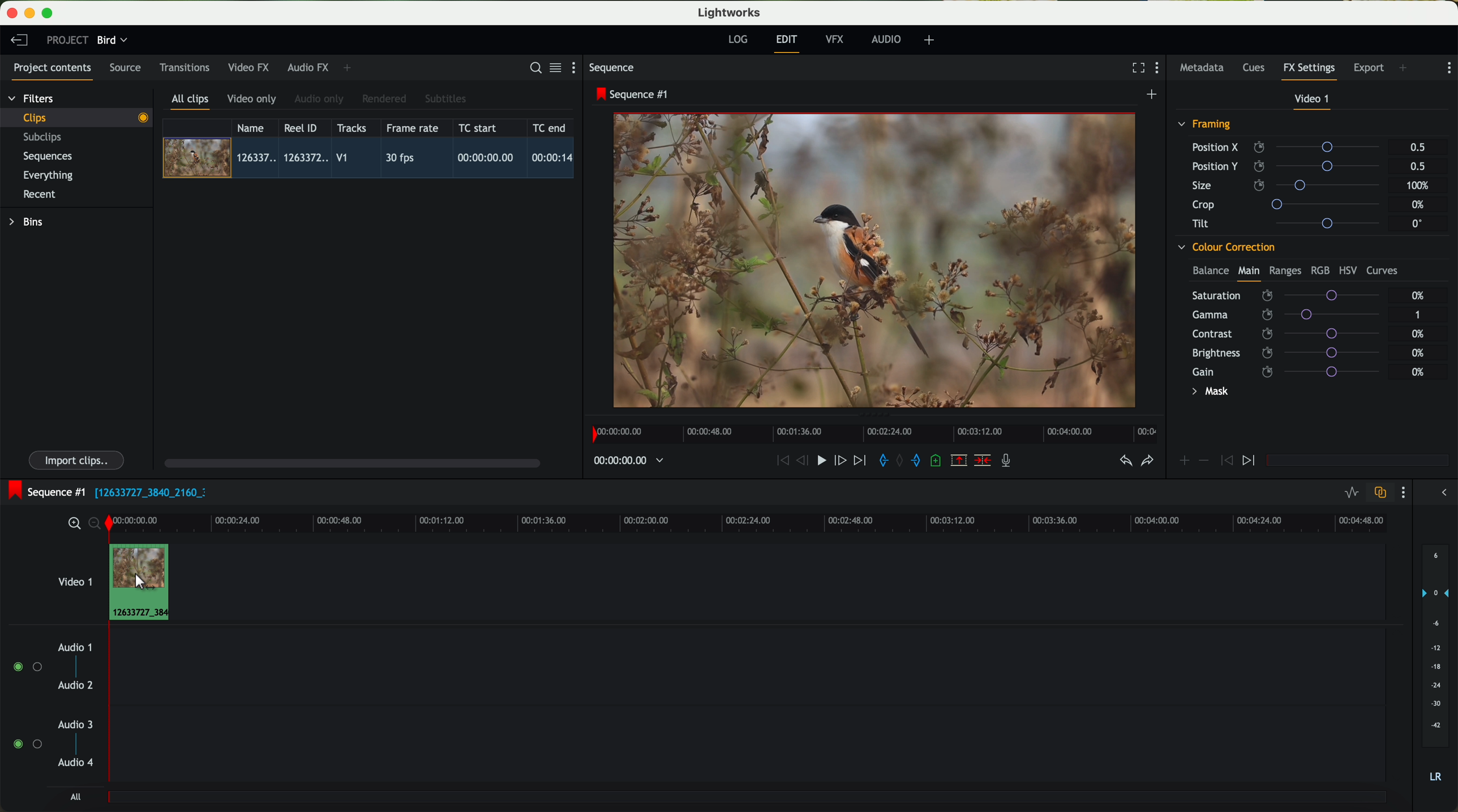 The width and height of the screenshot is (1458, 812). Describe the element at coordinates (1010, 462) in the screenshot. I see `record a voice-over` at that location.